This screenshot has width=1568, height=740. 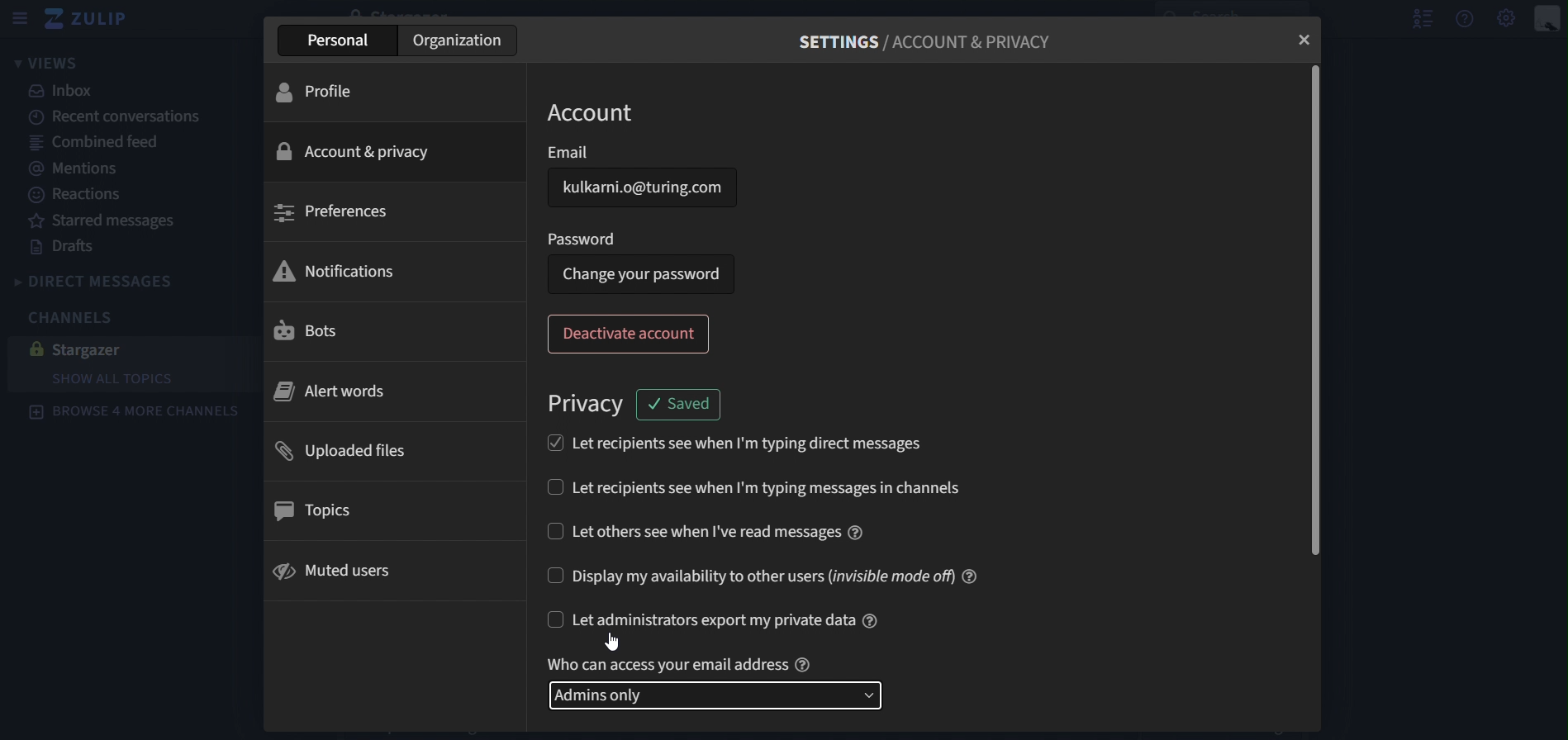 What do you see at coordinates (590, 405) in the screenshot?
I see `privacy` at bounding box center [590, 405].